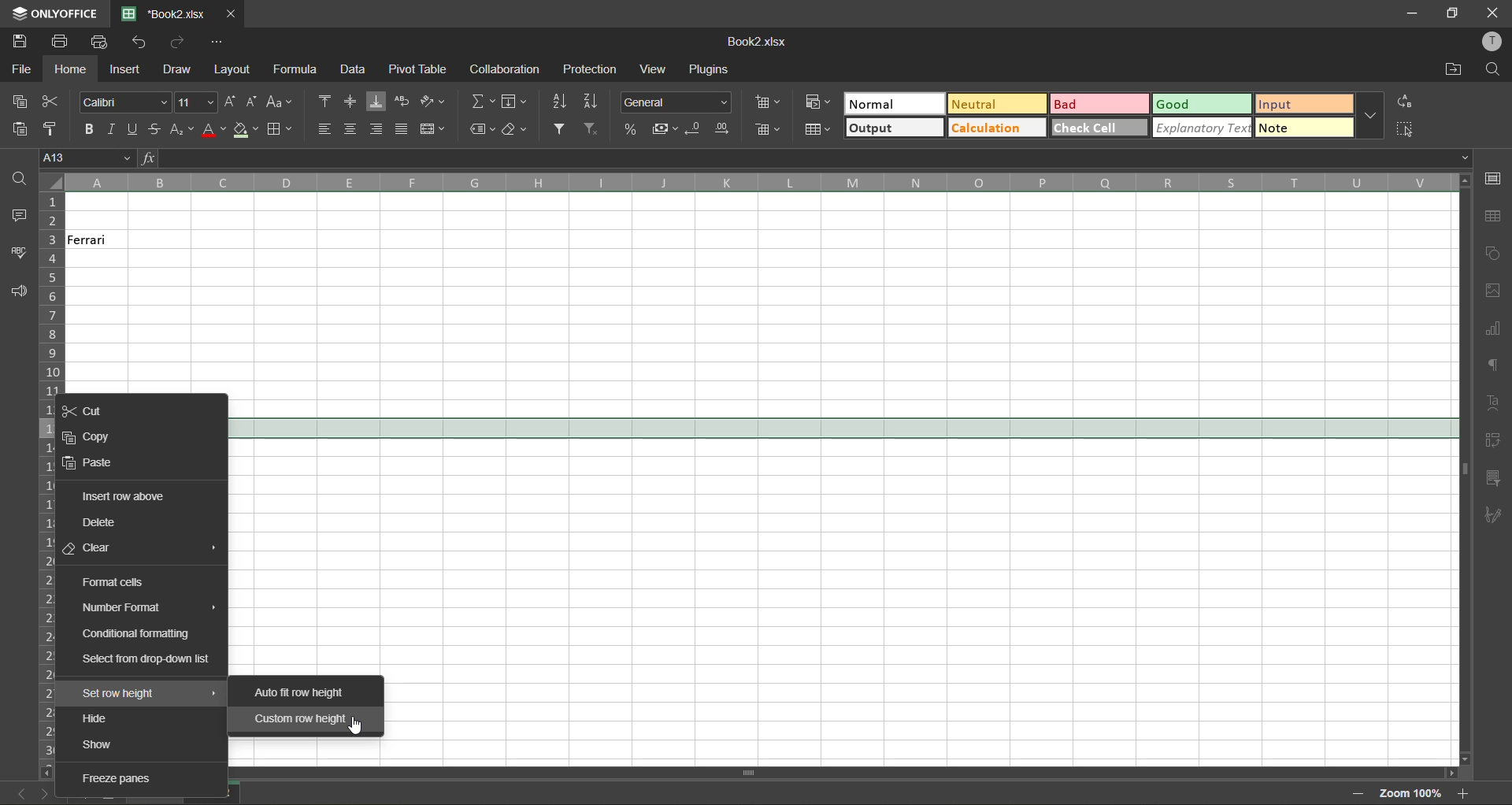 The image size is (1512, 805). What do you see at coordinates (402, 128) in the screenshot?
I see `justified` at bounding box center [402, 128].